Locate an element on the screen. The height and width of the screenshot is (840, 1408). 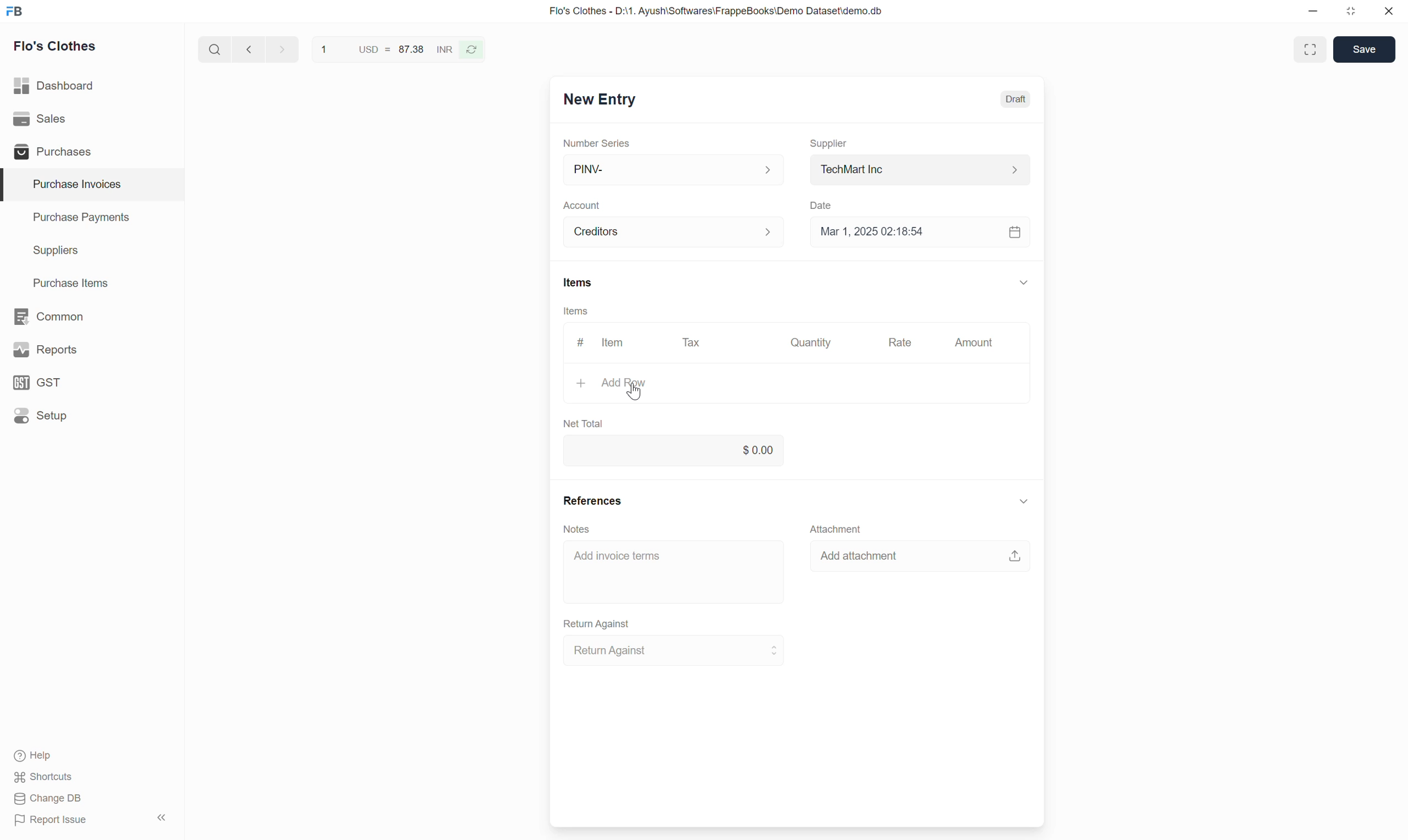
Purchases is located at coordinates (91, 151).